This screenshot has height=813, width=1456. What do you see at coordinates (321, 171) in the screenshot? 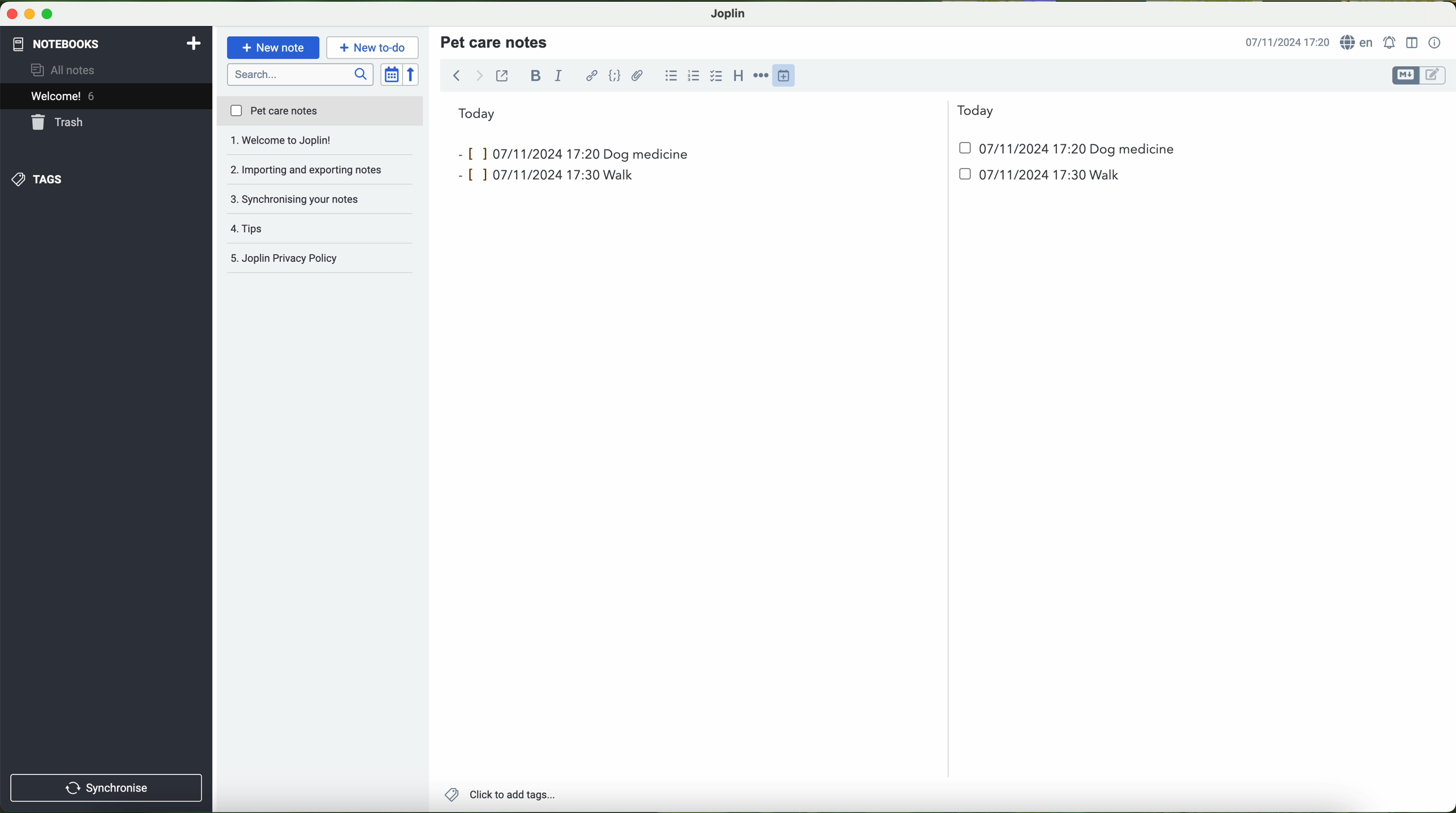
I see `synchronising your notes` at bounding box center [321, 171].